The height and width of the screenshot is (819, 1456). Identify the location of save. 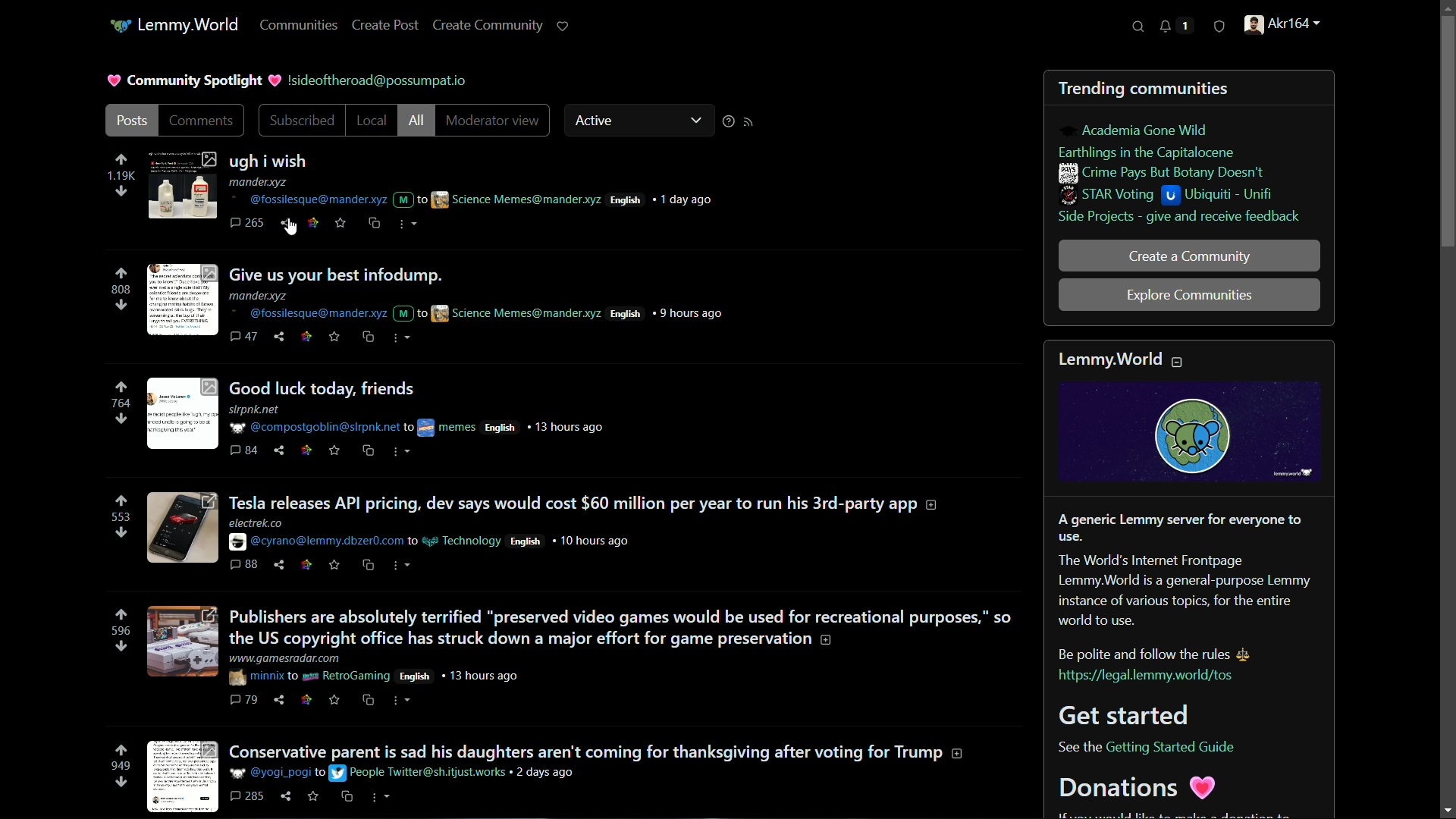
(336, 340).